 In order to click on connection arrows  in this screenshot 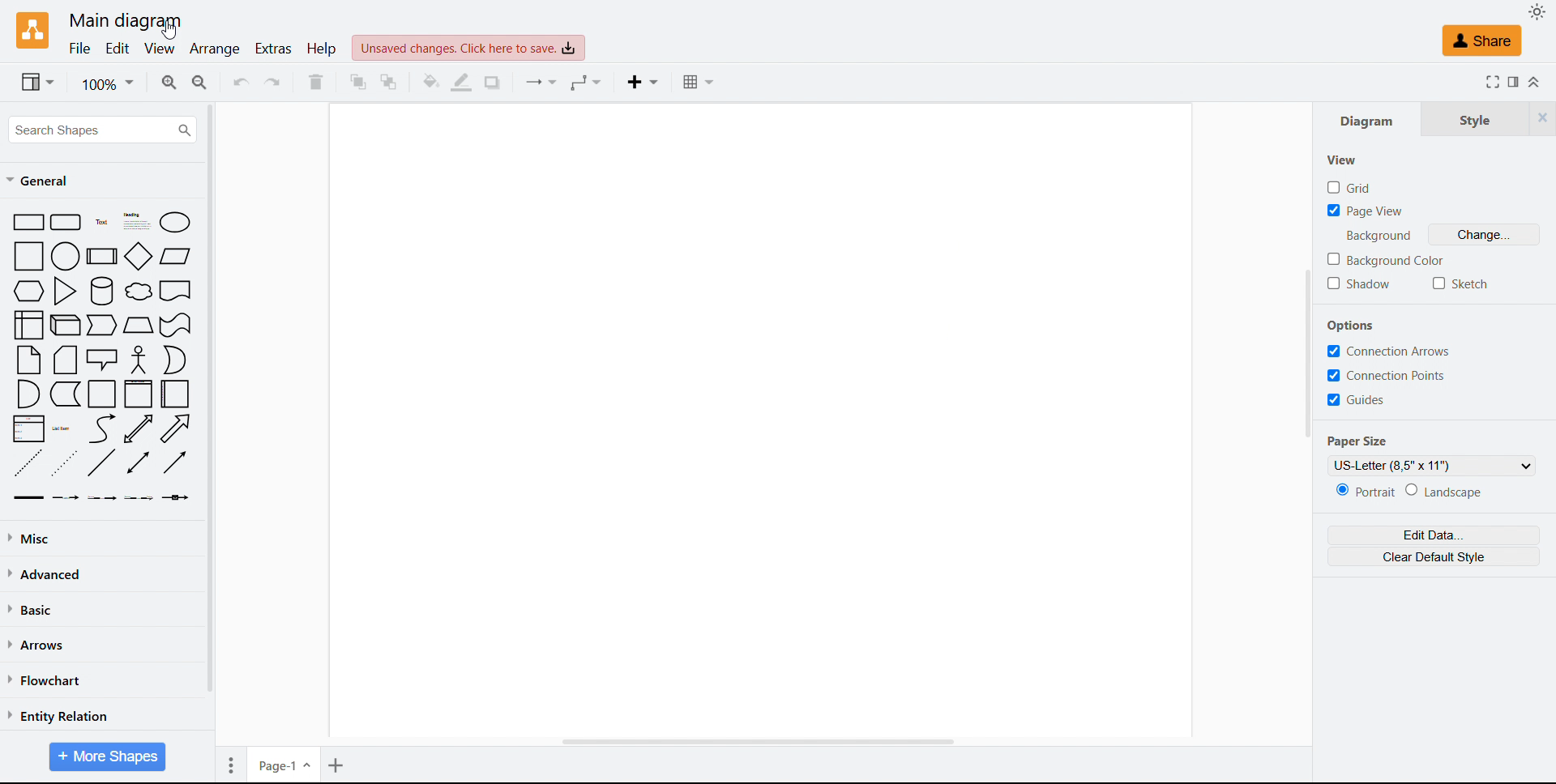, I will do `click(1389, 352)`.